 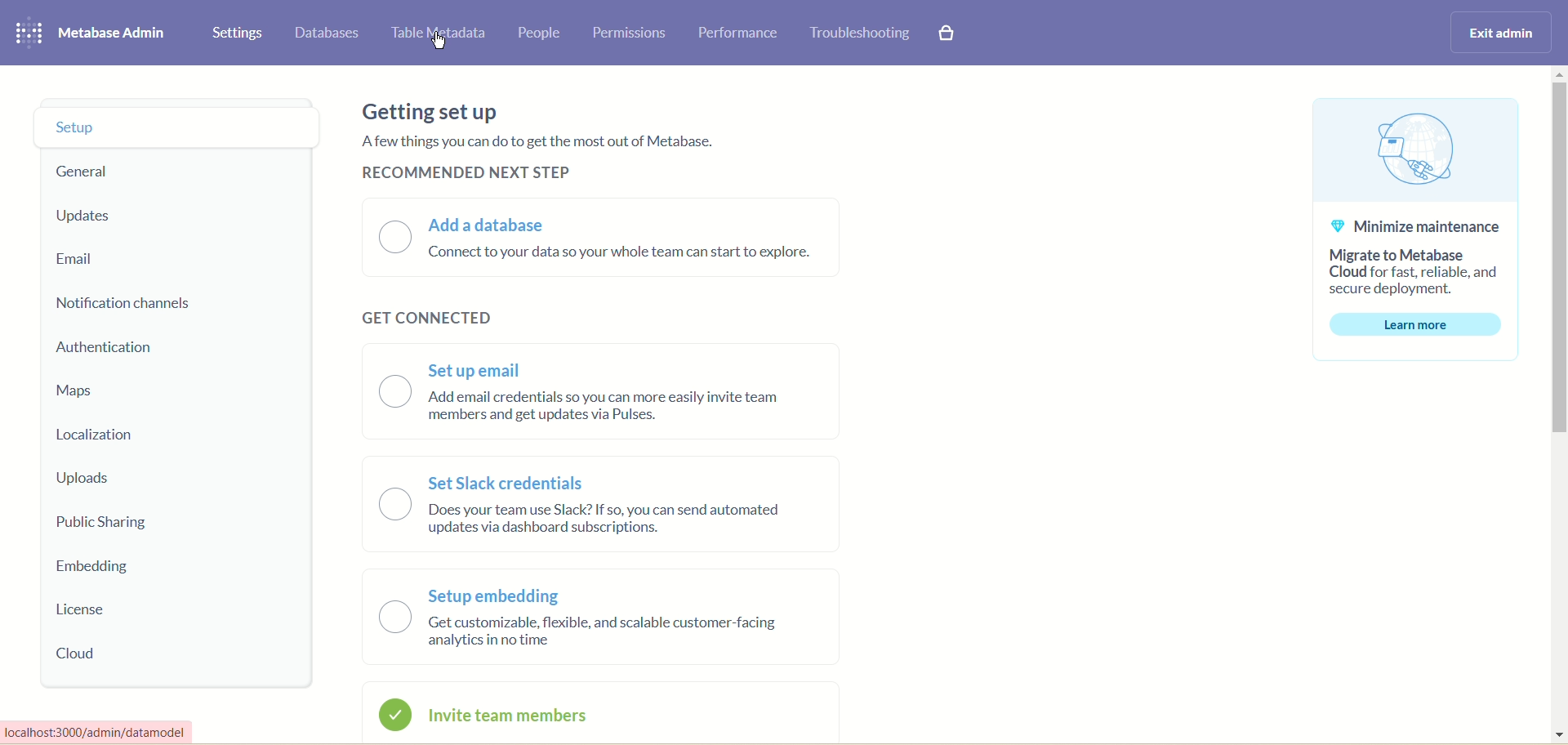 What do you see at coordinates (630, 32) in the screenshot?
I see `permissions` at bounding box center [630, 32].